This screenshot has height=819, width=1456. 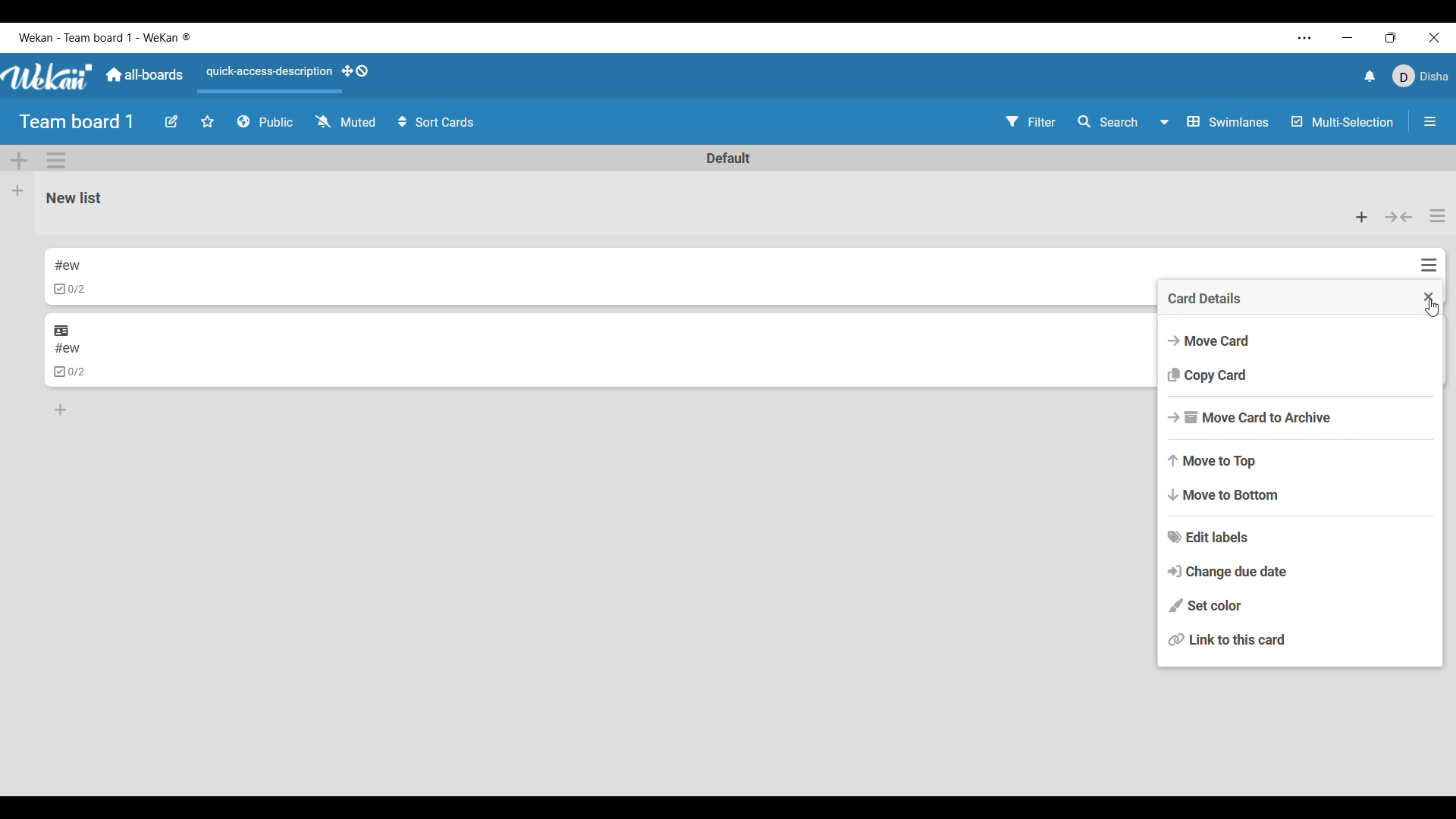 What do you see at coordinates (1370, 76) in the screenshot?
I see `Notifications` at bounding box center [1370, 76].